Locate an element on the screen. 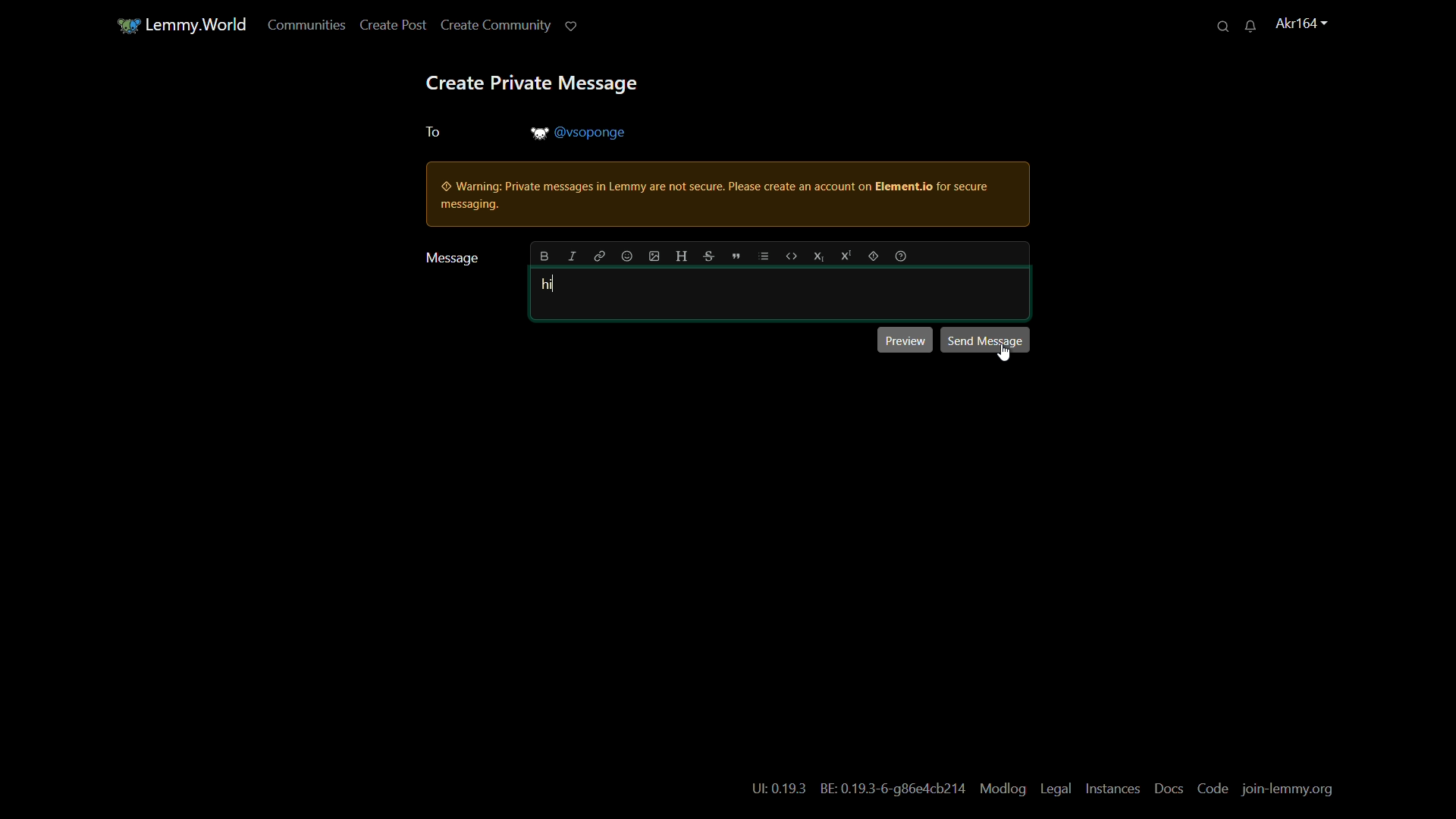 This screenshot has height=819, width=1456. preview is located at coordinates (903, 340).